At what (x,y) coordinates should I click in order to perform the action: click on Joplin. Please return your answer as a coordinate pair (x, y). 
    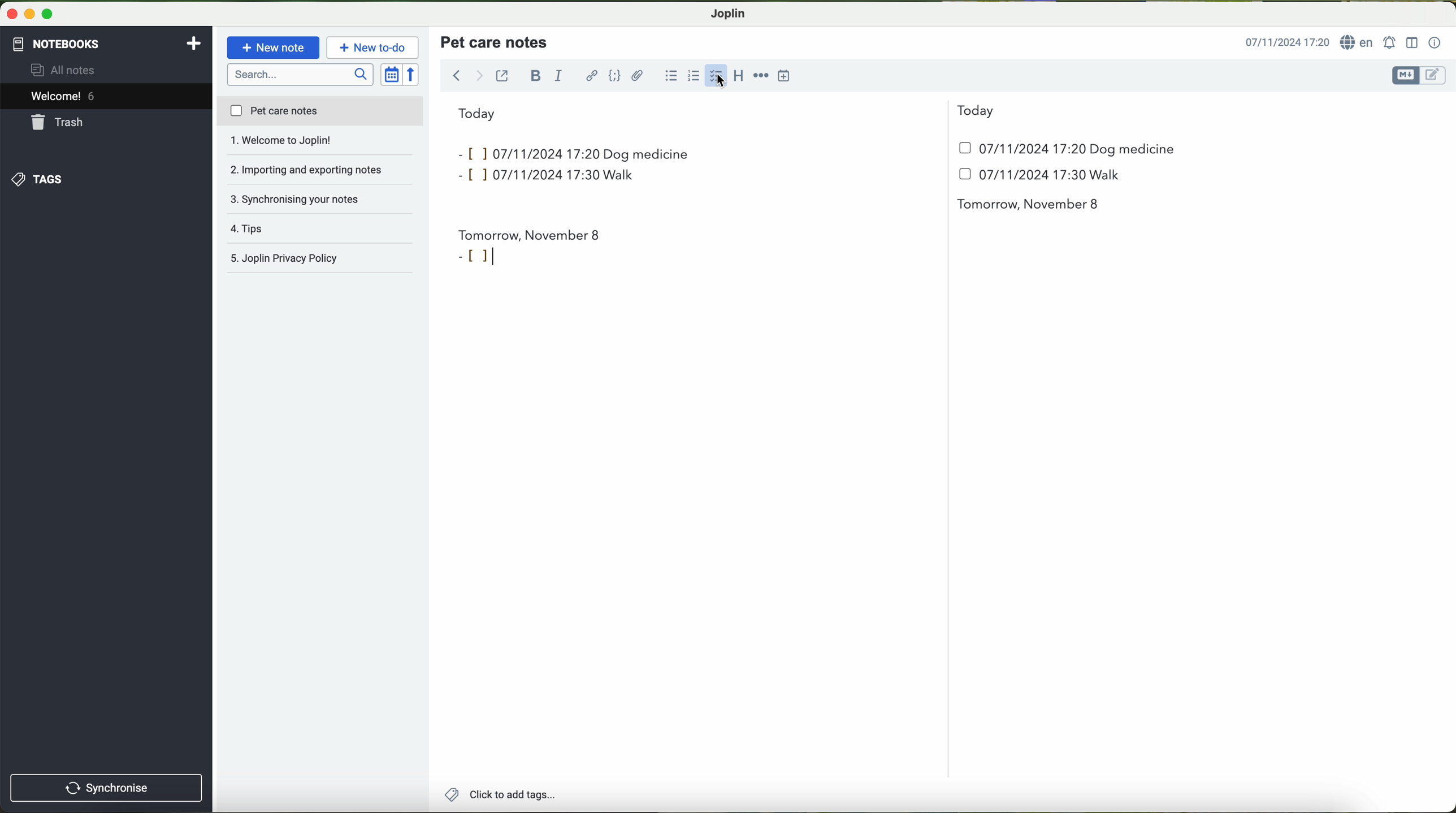
    Looking at the image, I should click on (729, 12).